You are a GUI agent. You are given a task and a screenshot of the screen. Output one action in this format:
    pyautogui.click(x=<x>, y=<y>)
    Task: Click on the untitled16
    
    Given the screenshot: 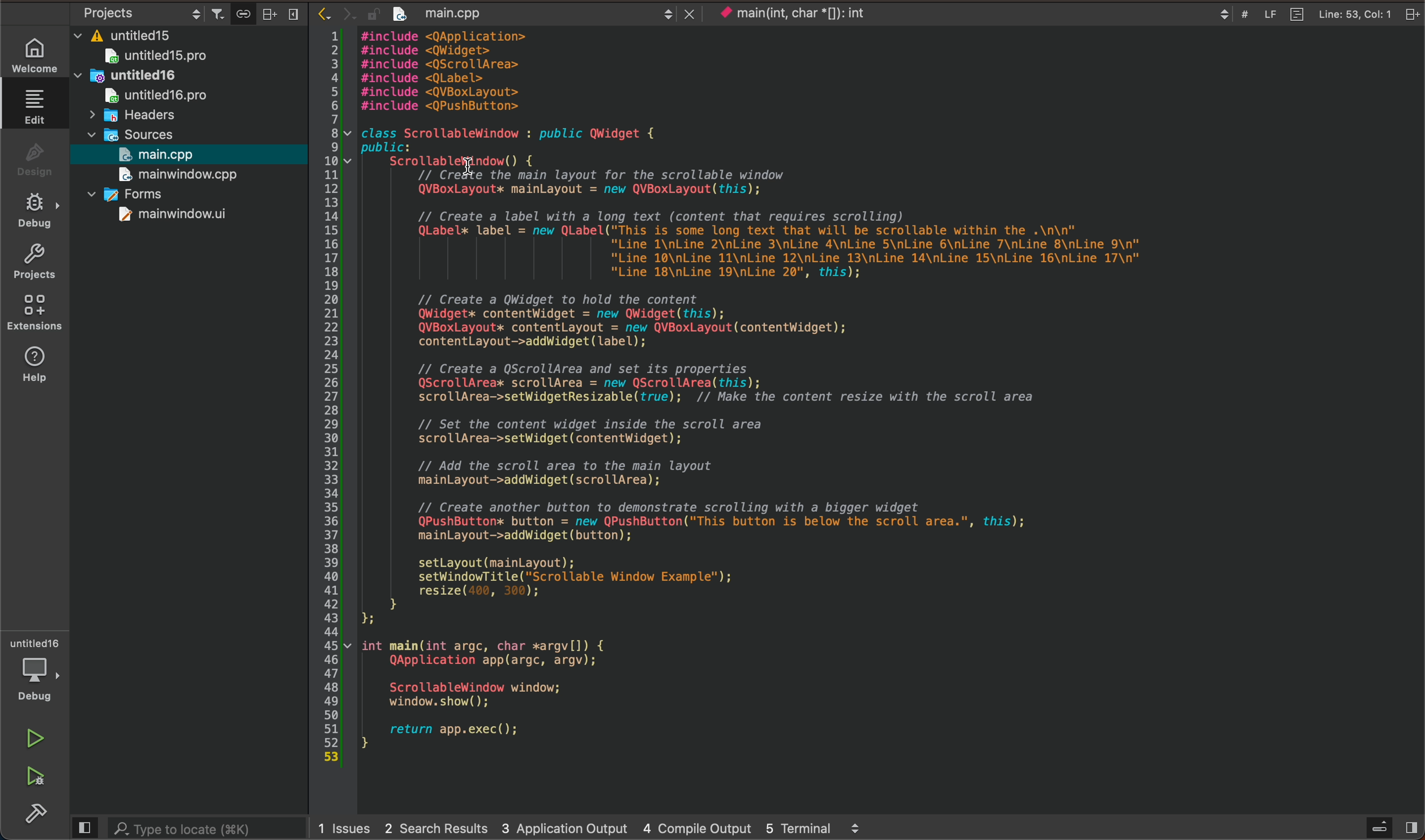 What is the action you would take?
    pyautogui.click(x=155, y=78)
    